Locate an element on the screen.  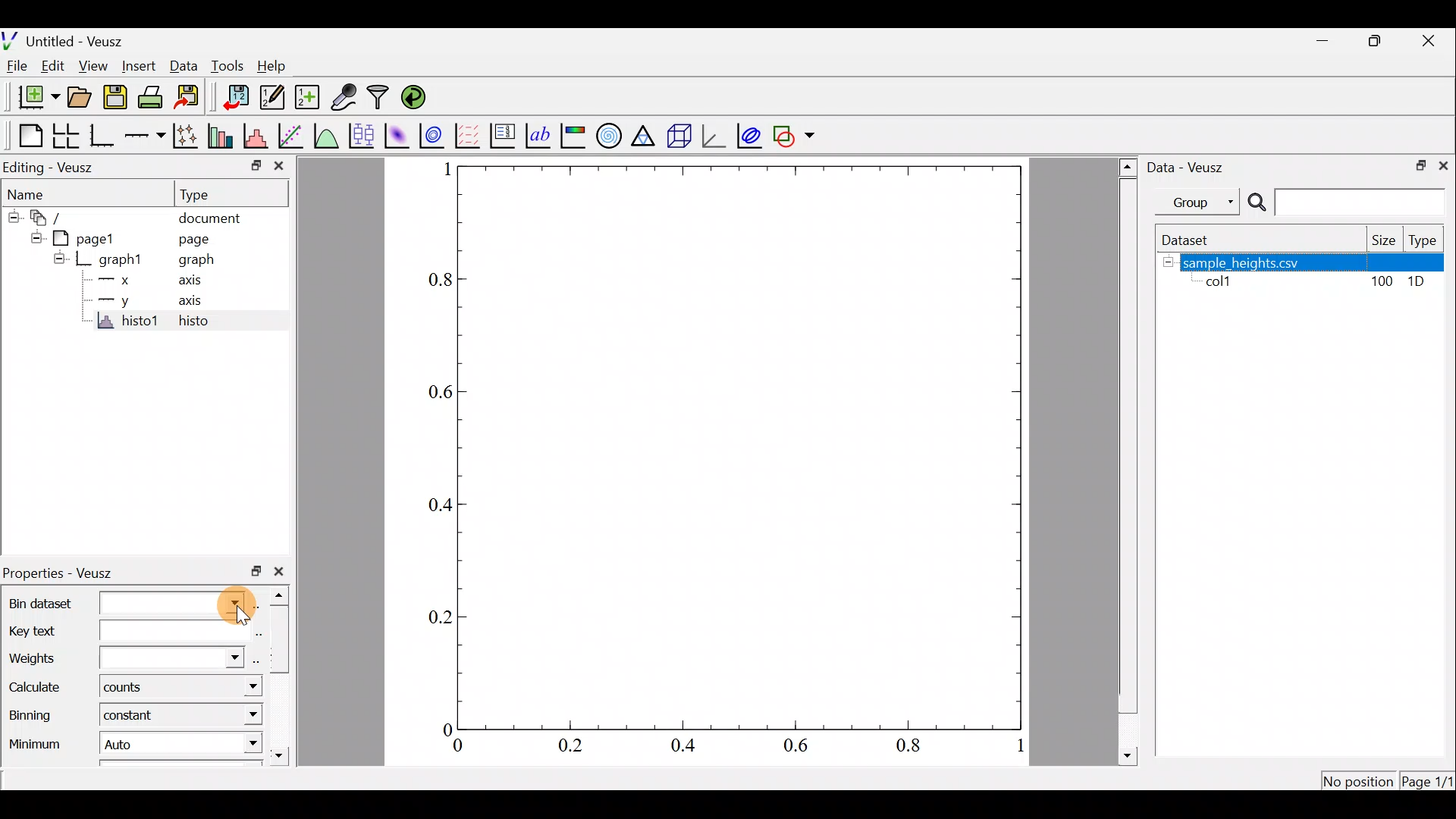
arrange graphs in a grid is located at coordinates (67, 133).